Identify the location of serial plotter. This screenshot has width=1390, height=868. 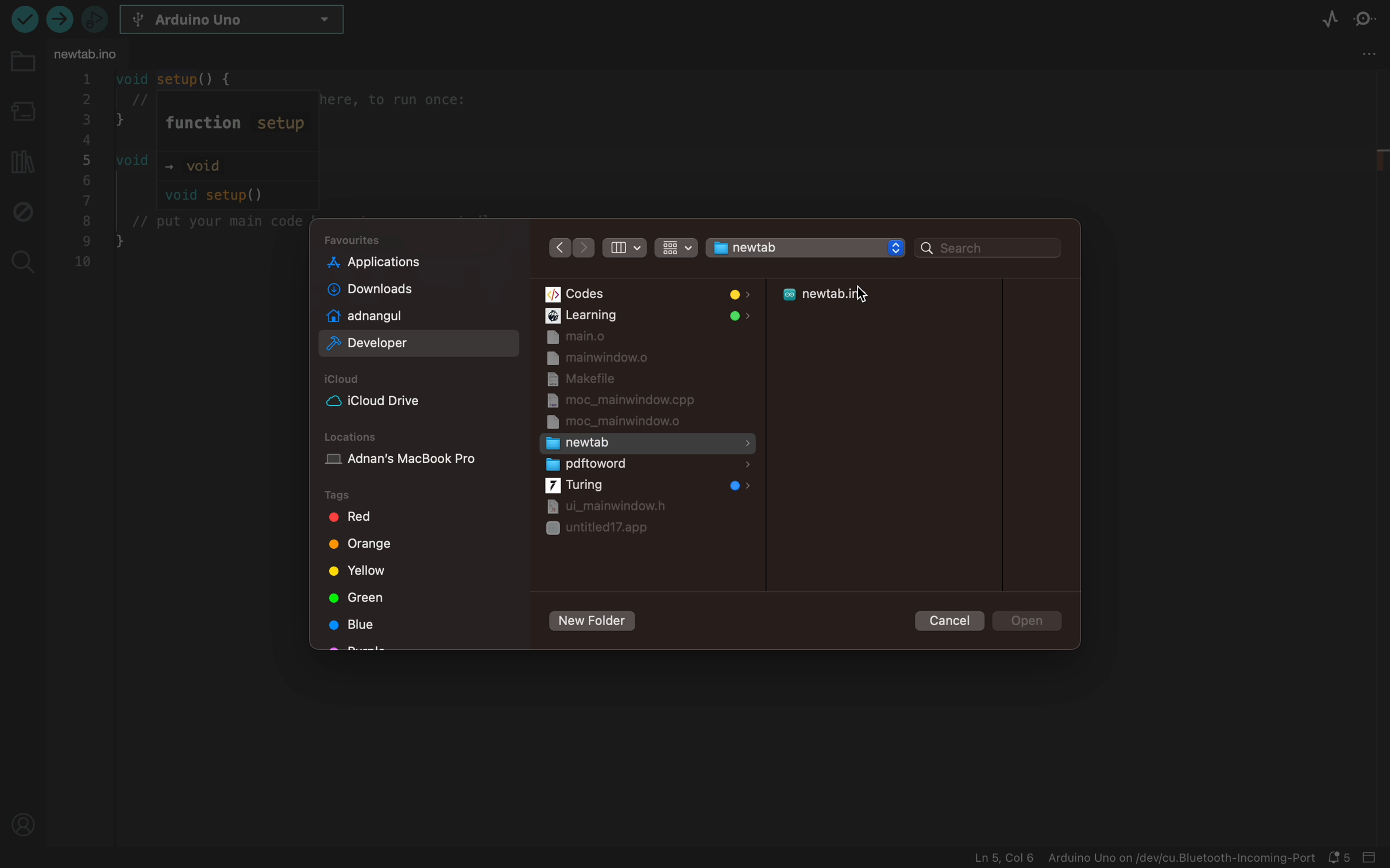
(1330, 21).